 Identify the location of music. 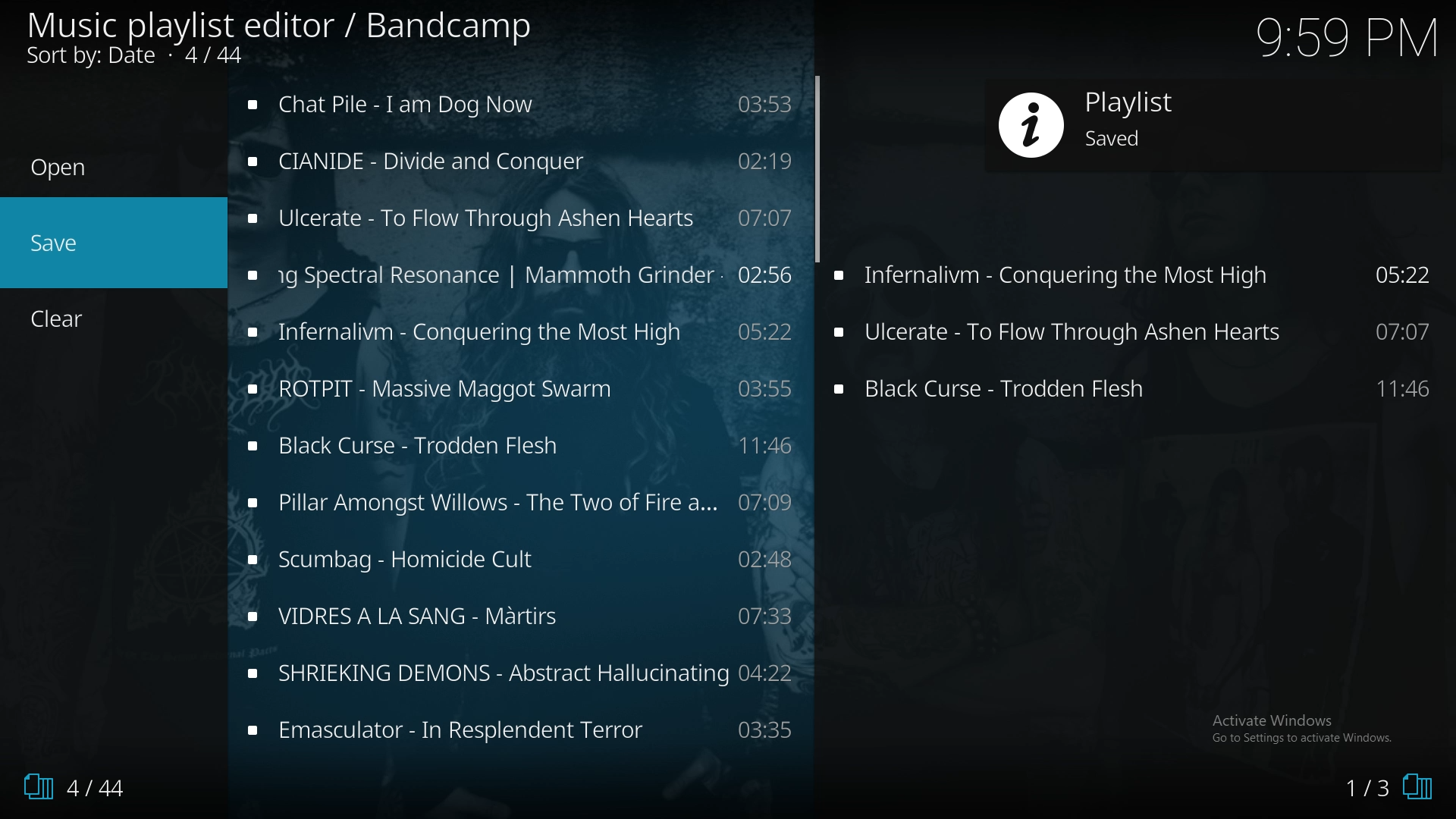
(523, 504).